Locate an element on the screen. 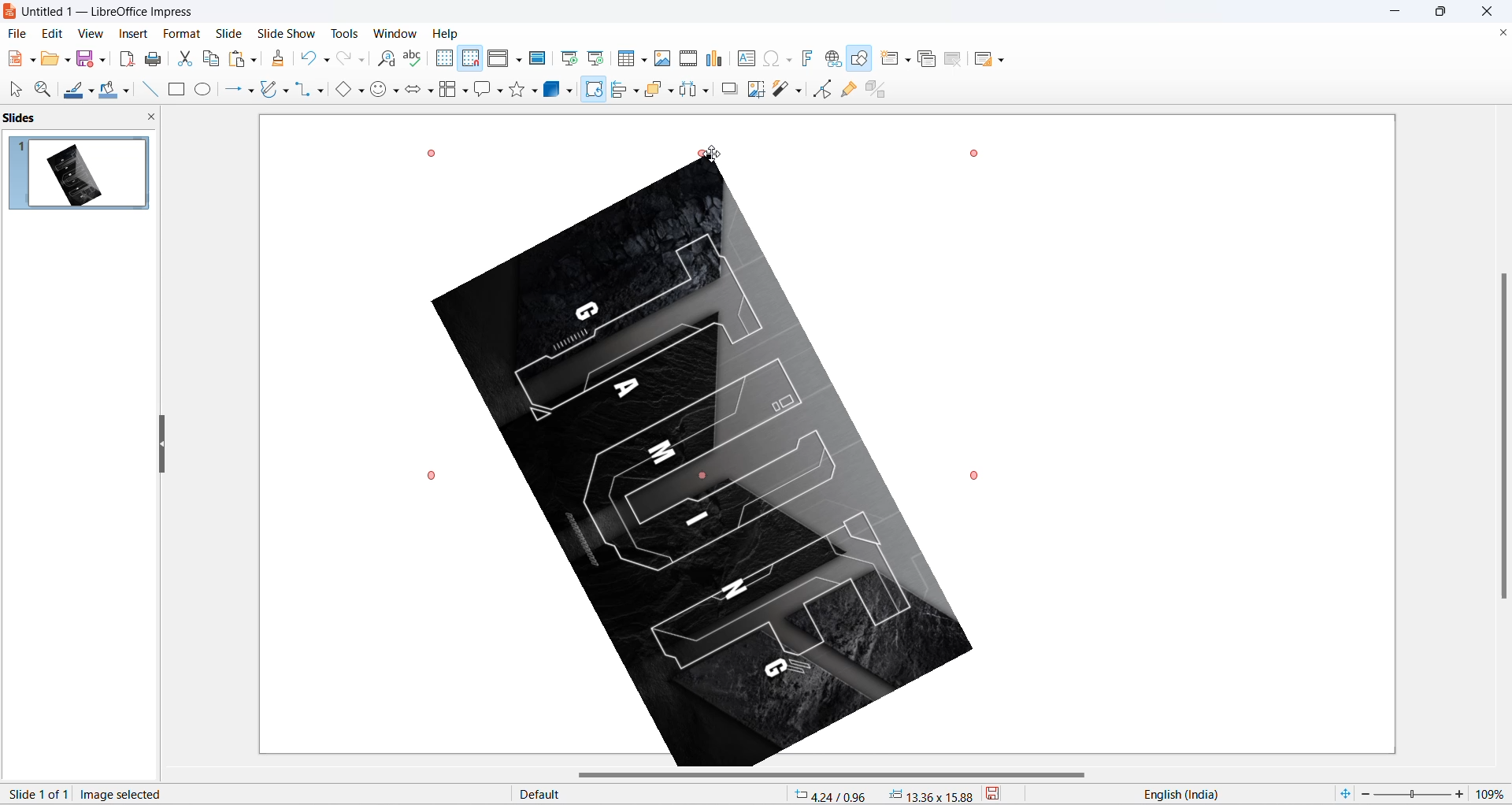 The height and width of the screenshot is (805, 1512). block arrow options is located at coordinates (431, 92).